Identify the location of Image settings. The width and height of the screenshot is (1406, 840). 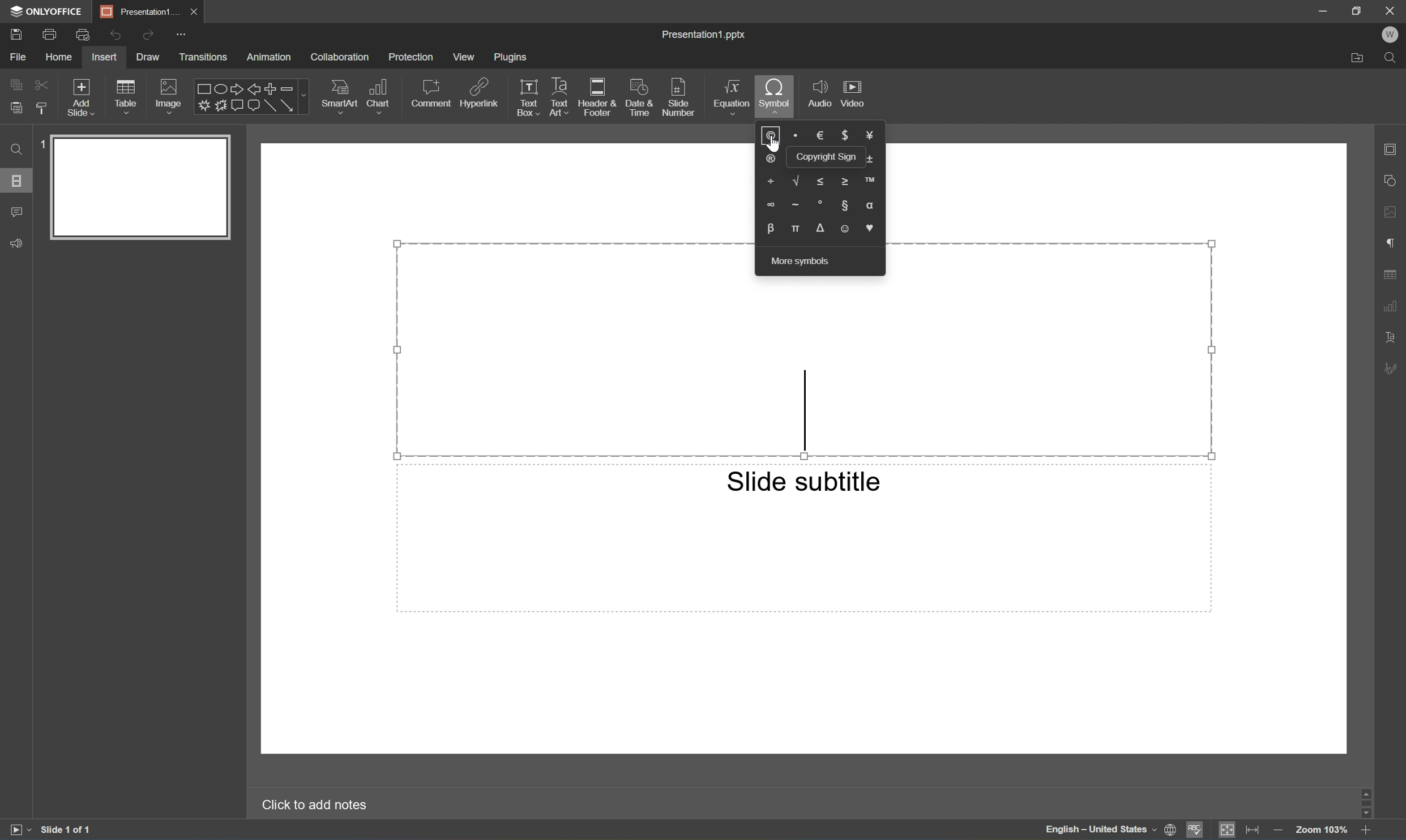
(1395, 213).